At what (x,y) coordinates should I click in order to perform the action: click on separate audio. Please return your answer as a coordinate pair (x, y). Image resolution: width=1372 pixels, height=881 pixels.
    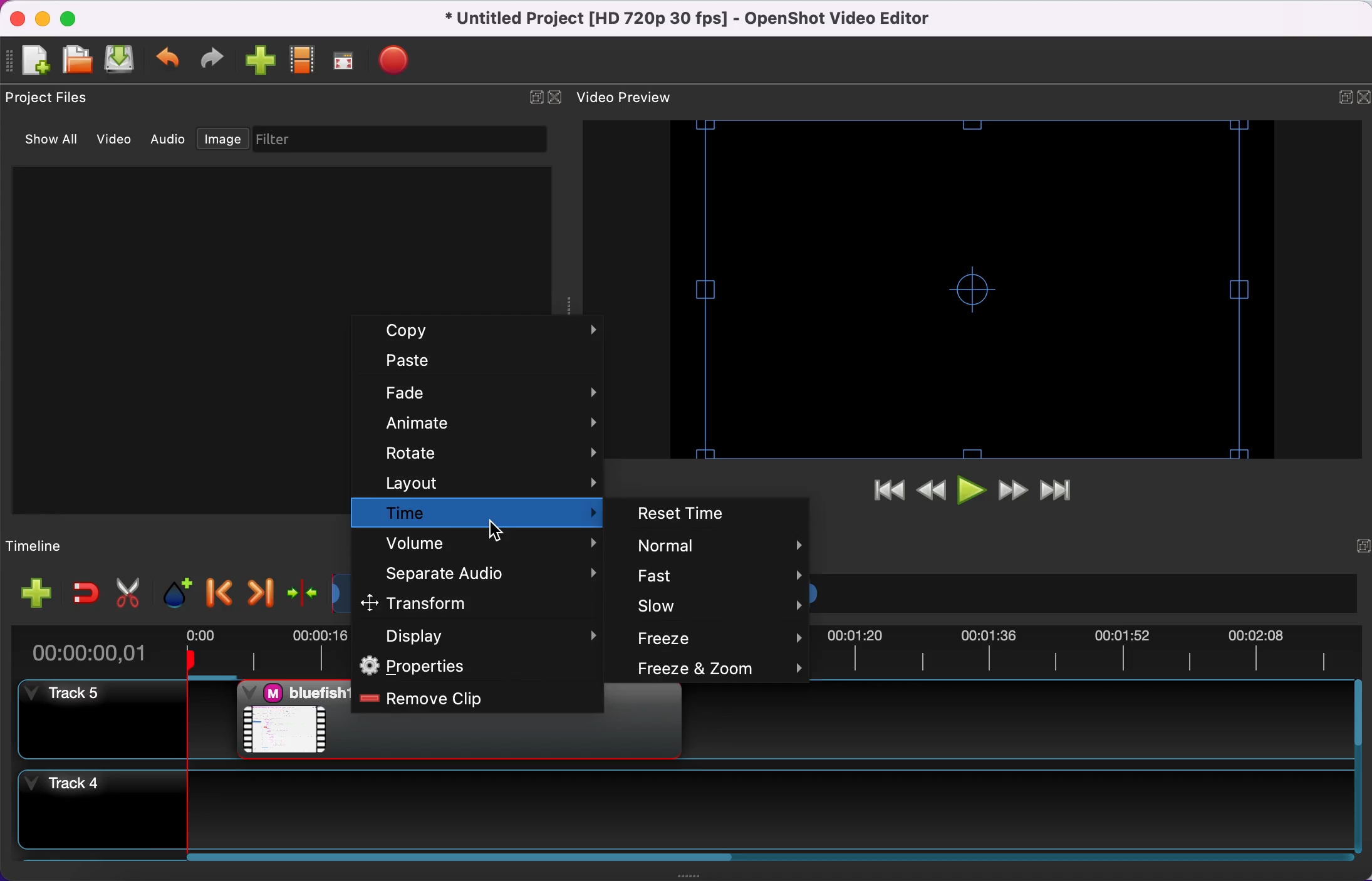
    Looking at the image, I should click on (484, 575).